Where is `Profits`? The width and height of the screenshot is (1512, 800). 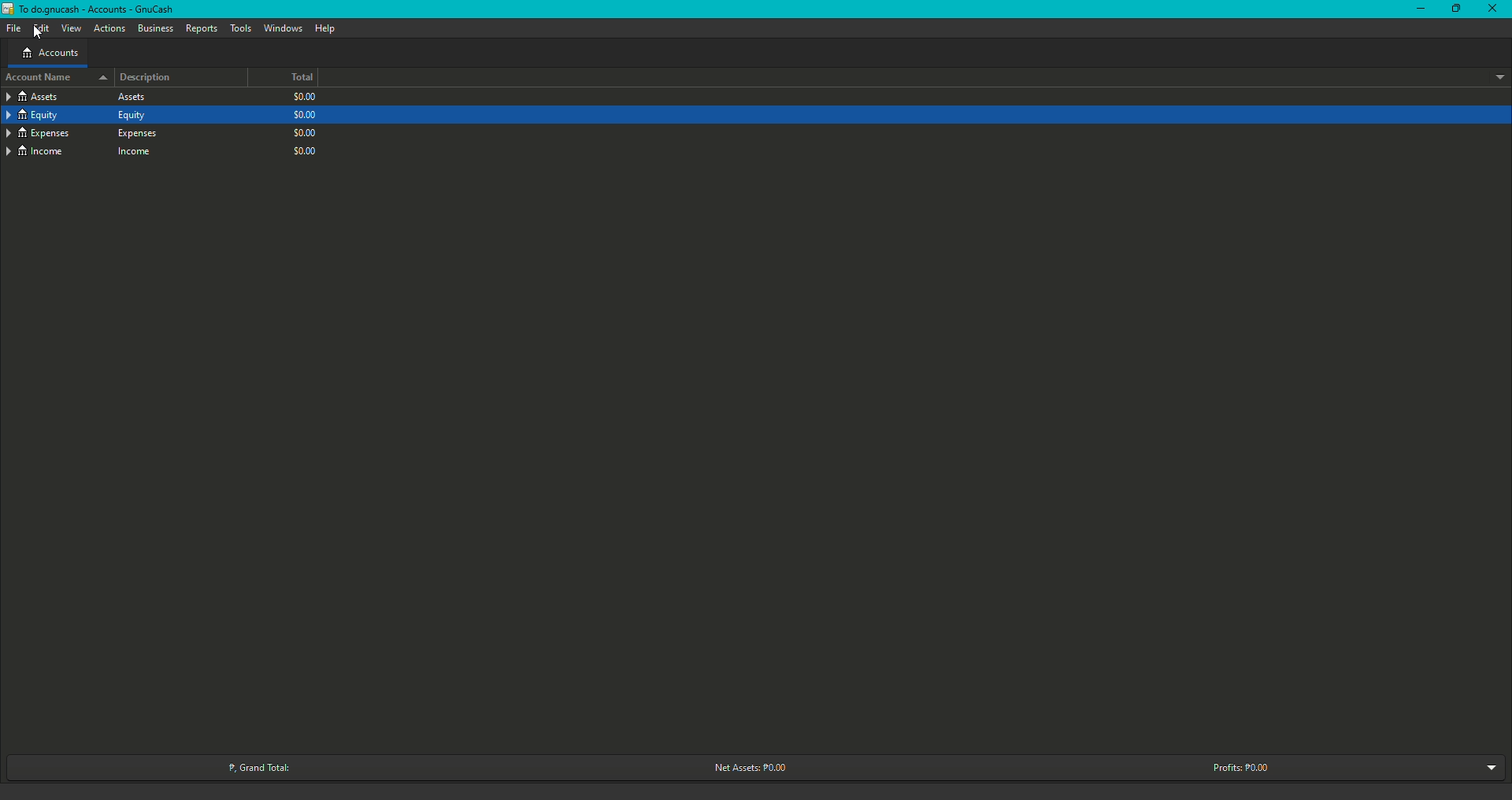
Profits is located at coordinates (1244, 767).